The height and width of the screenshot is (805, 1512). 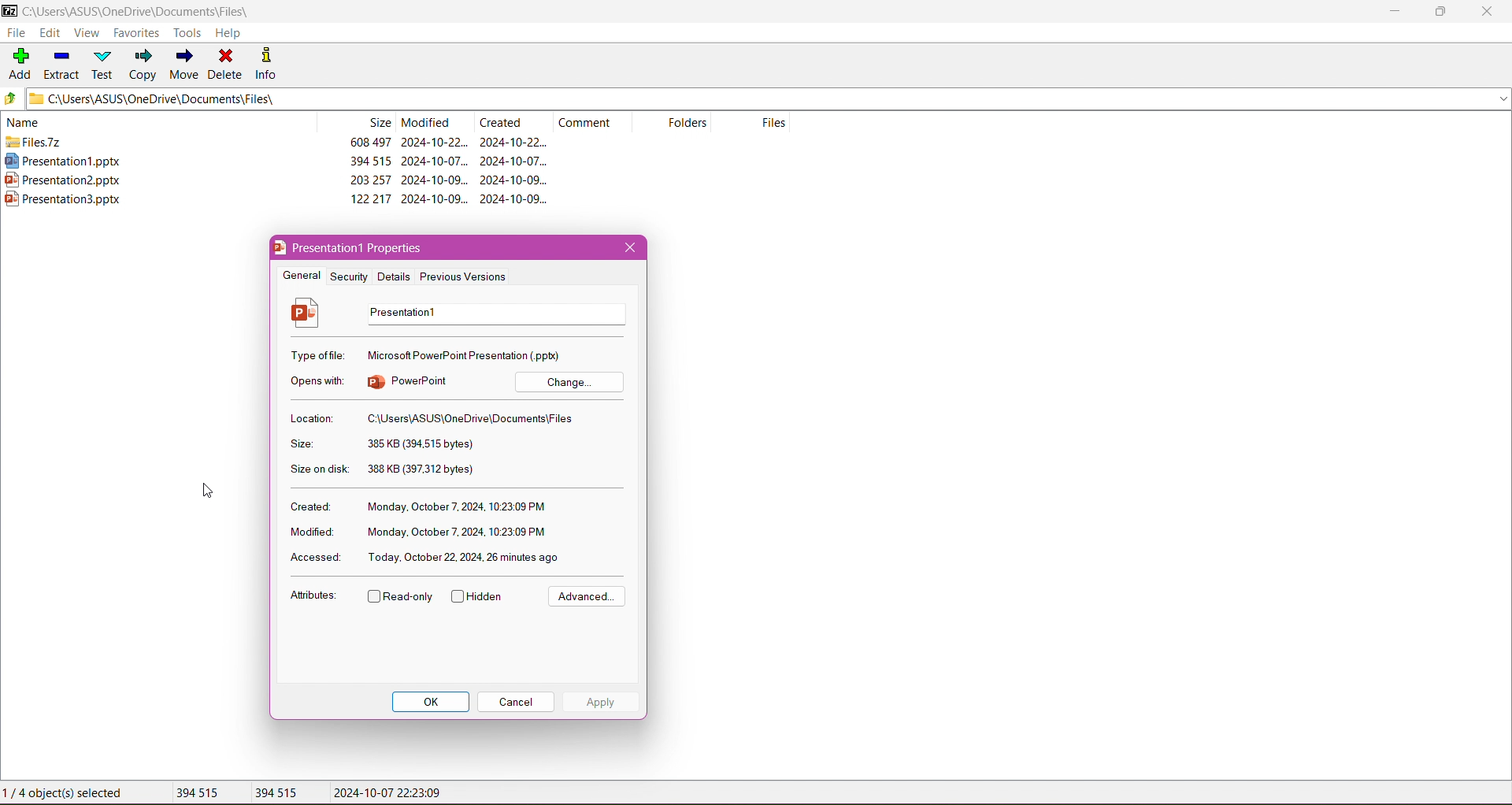 What do you see at coordinates (187, 65) in the screenshot?
I see `Move` at bounding box center [187, 65].